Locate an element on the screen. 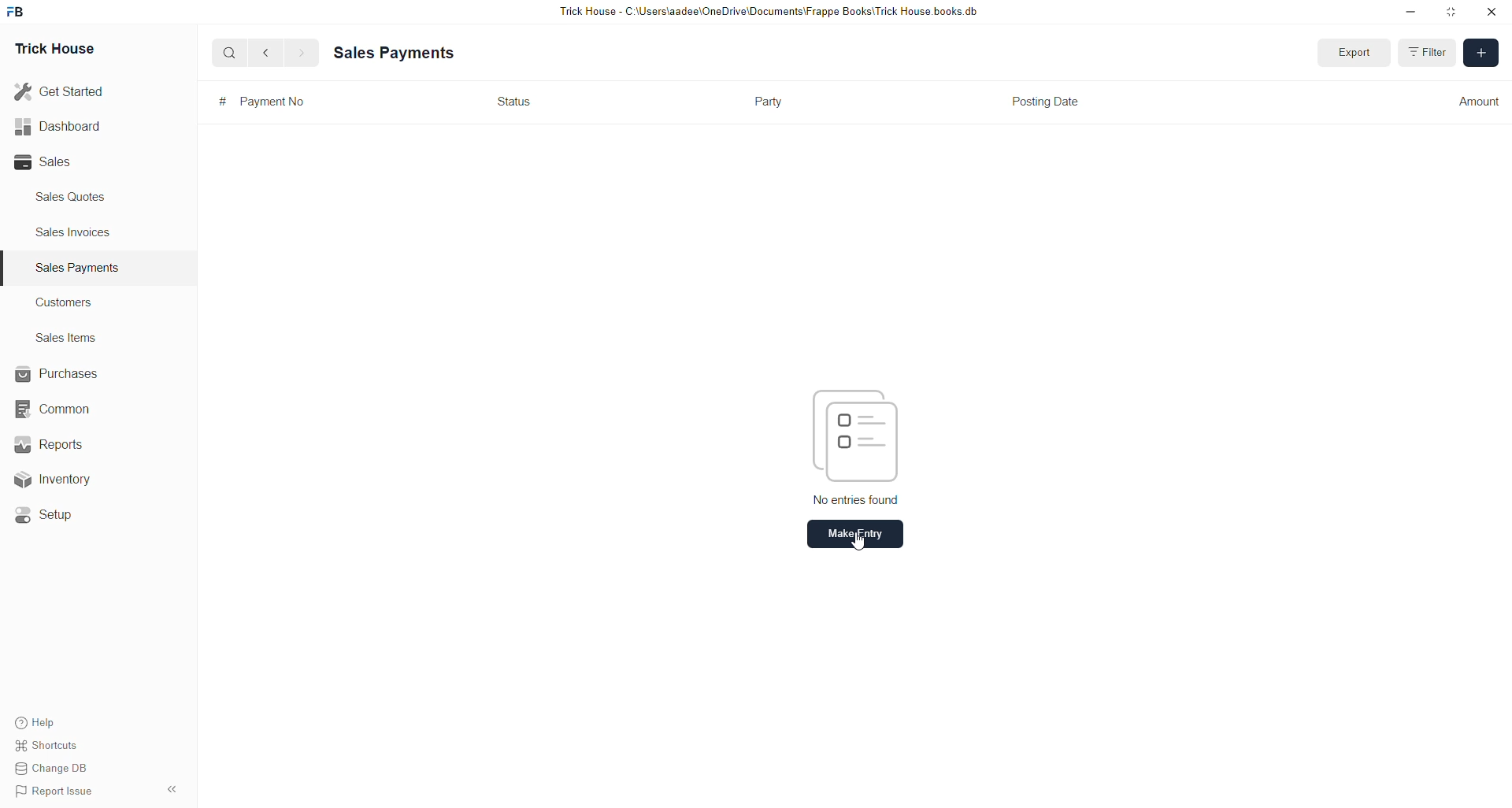 This screenshot has height=808, width=1512. Amount is located at coordinates (1474, 102).